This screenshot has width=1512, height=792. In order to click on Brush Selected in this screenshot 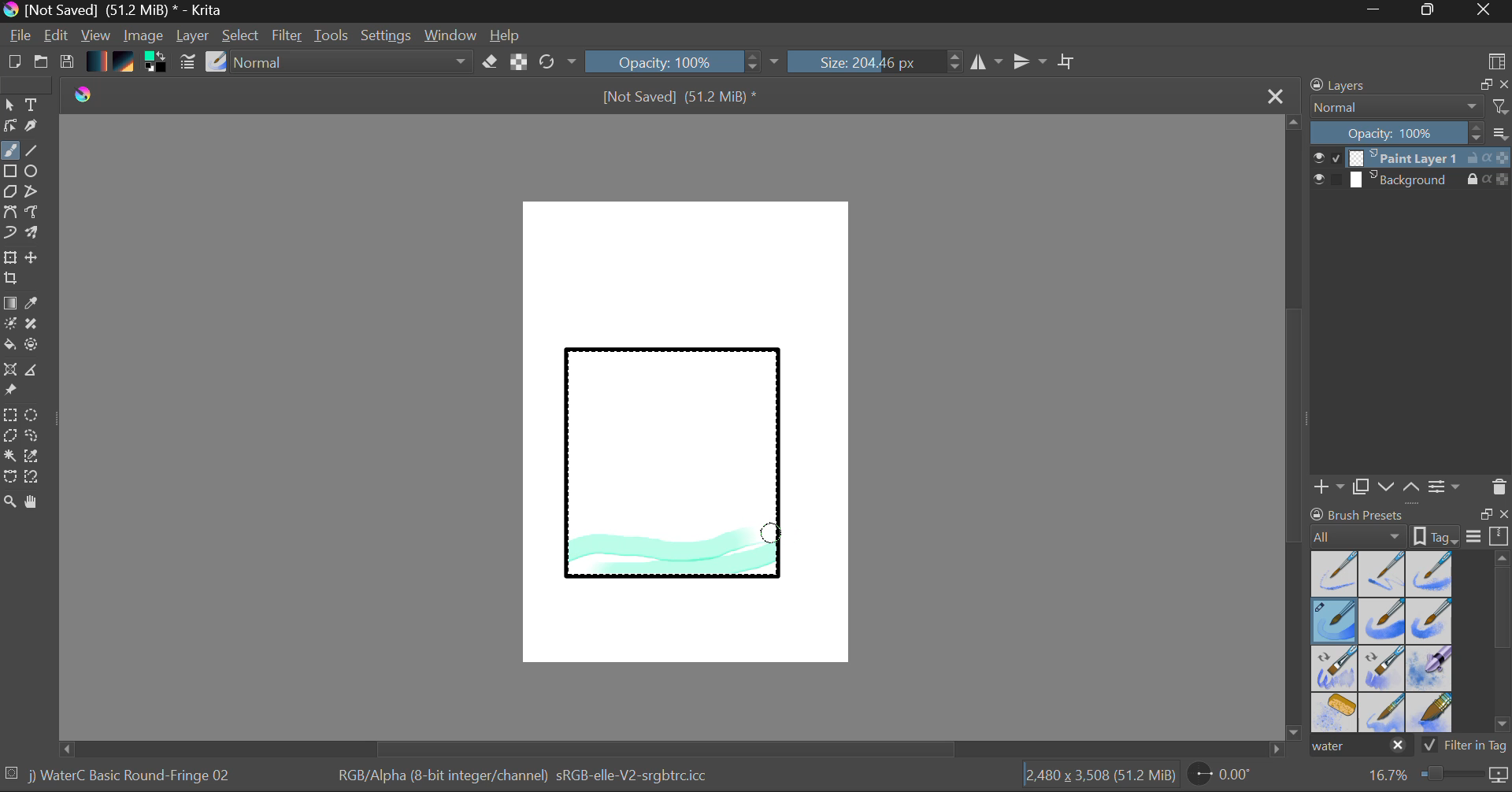, I will do `click(1336, 622)`.